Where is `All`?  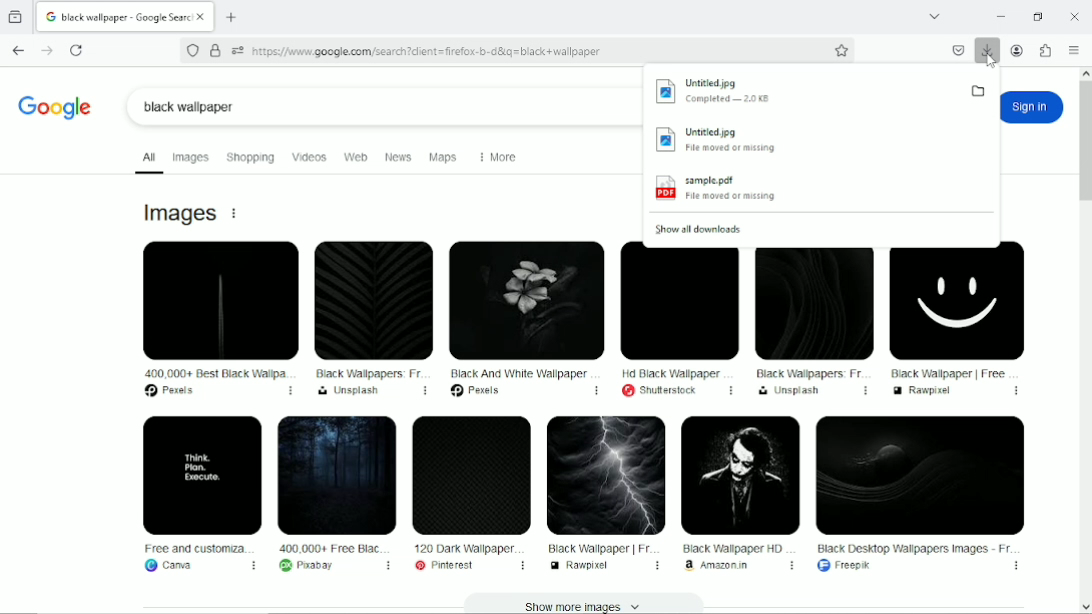 All is located at coordinates (144, 157).